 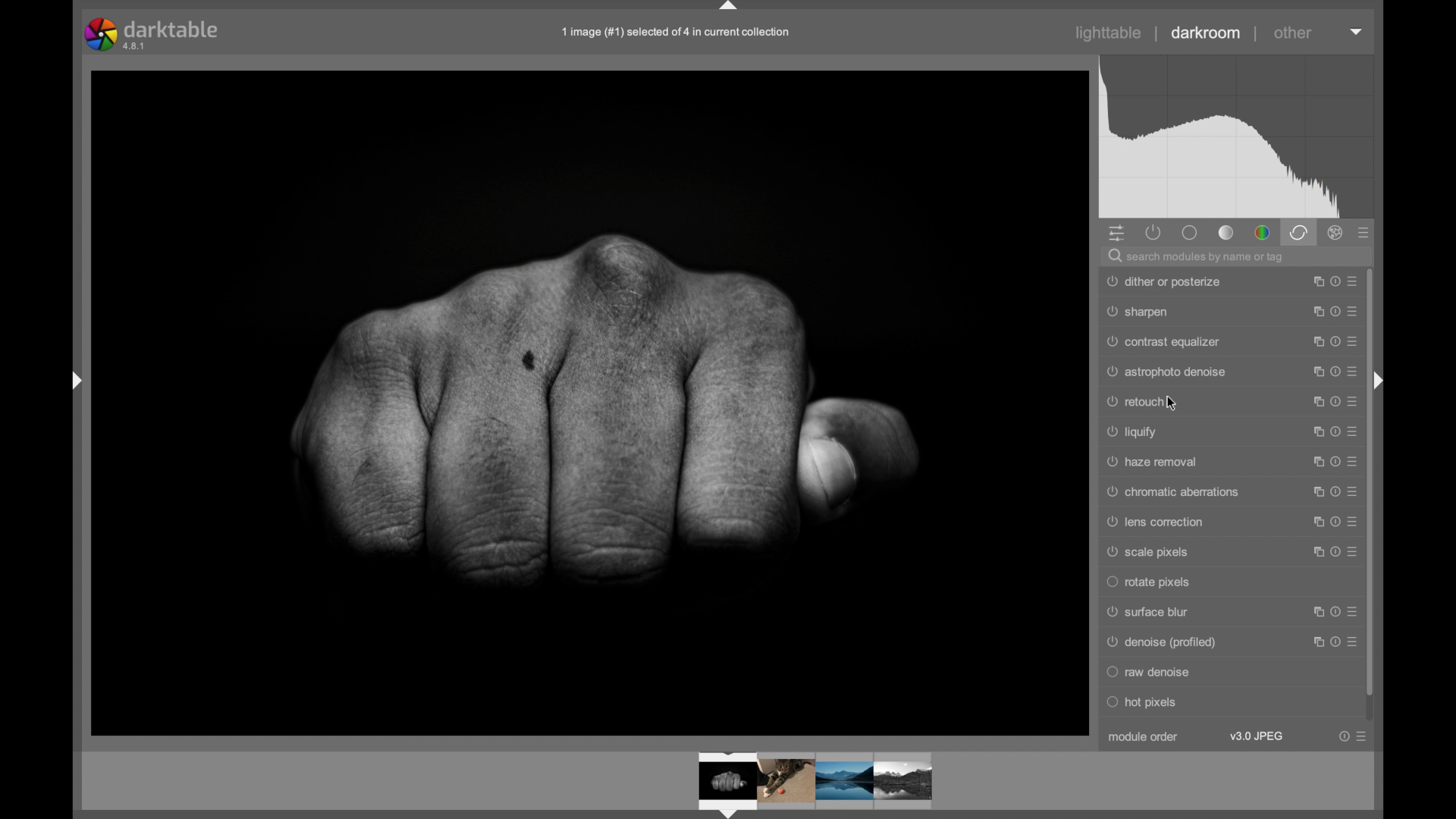 What do you see at coordinates (1351, 340) in the screenshot?
I see `more options` at bounding box center [1351, 340].